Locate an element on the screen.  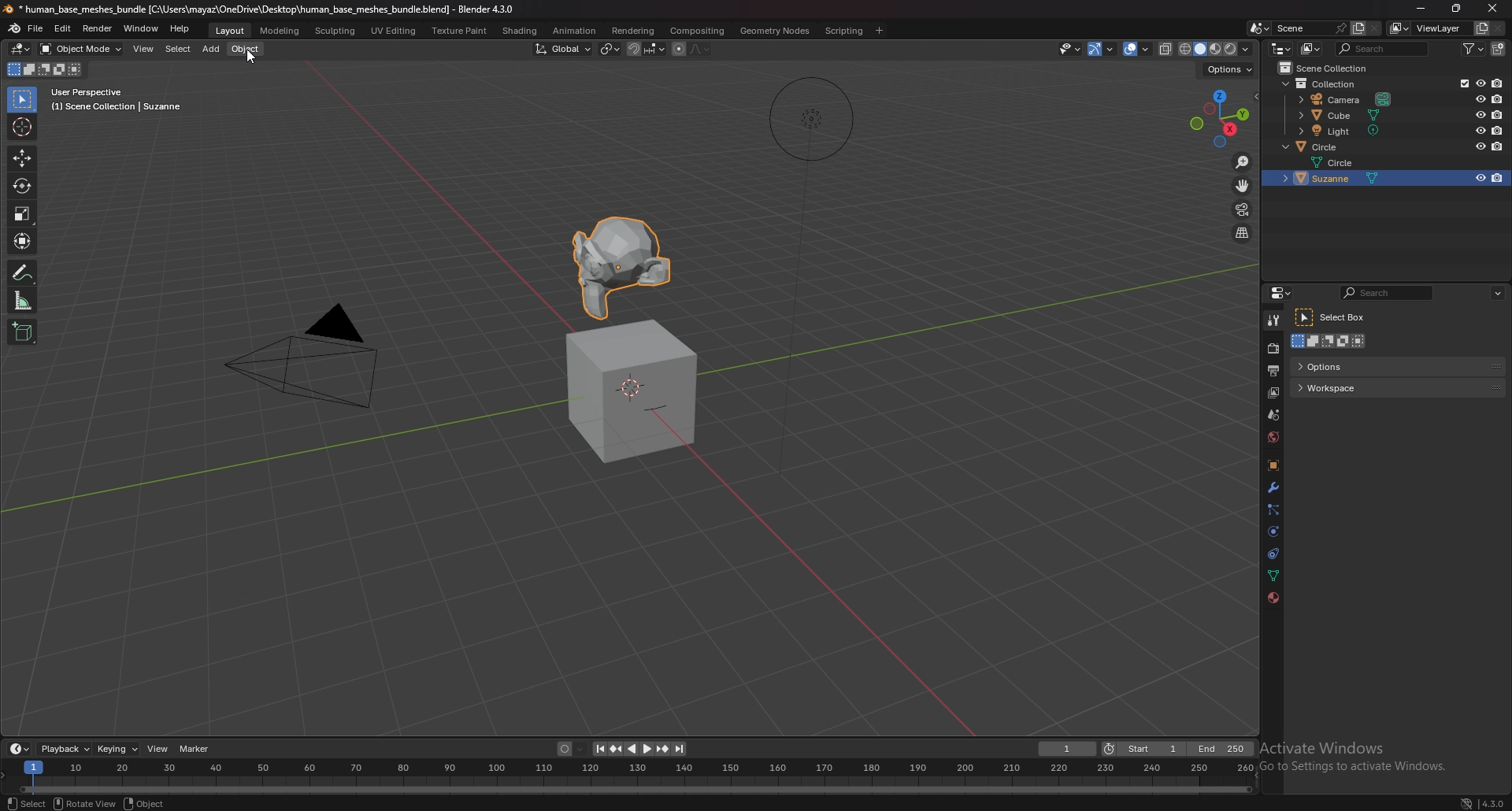
constraints is located at coordinates (1275, 554).